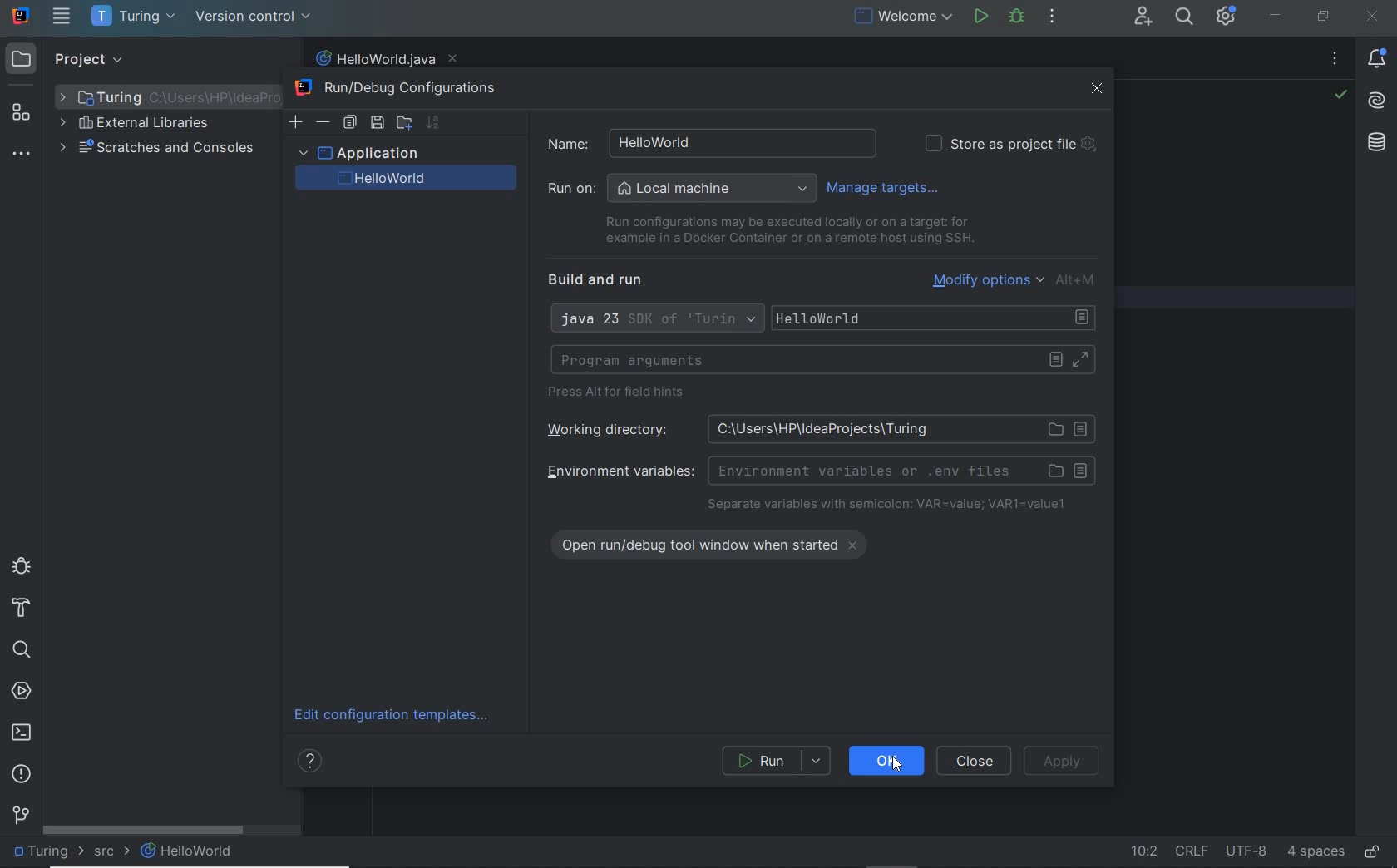 The image size is (1397, 868). What do you see at coordinates (887, 187) in the screenshot?
I see `manage targets` at bounding box center [887, 187].